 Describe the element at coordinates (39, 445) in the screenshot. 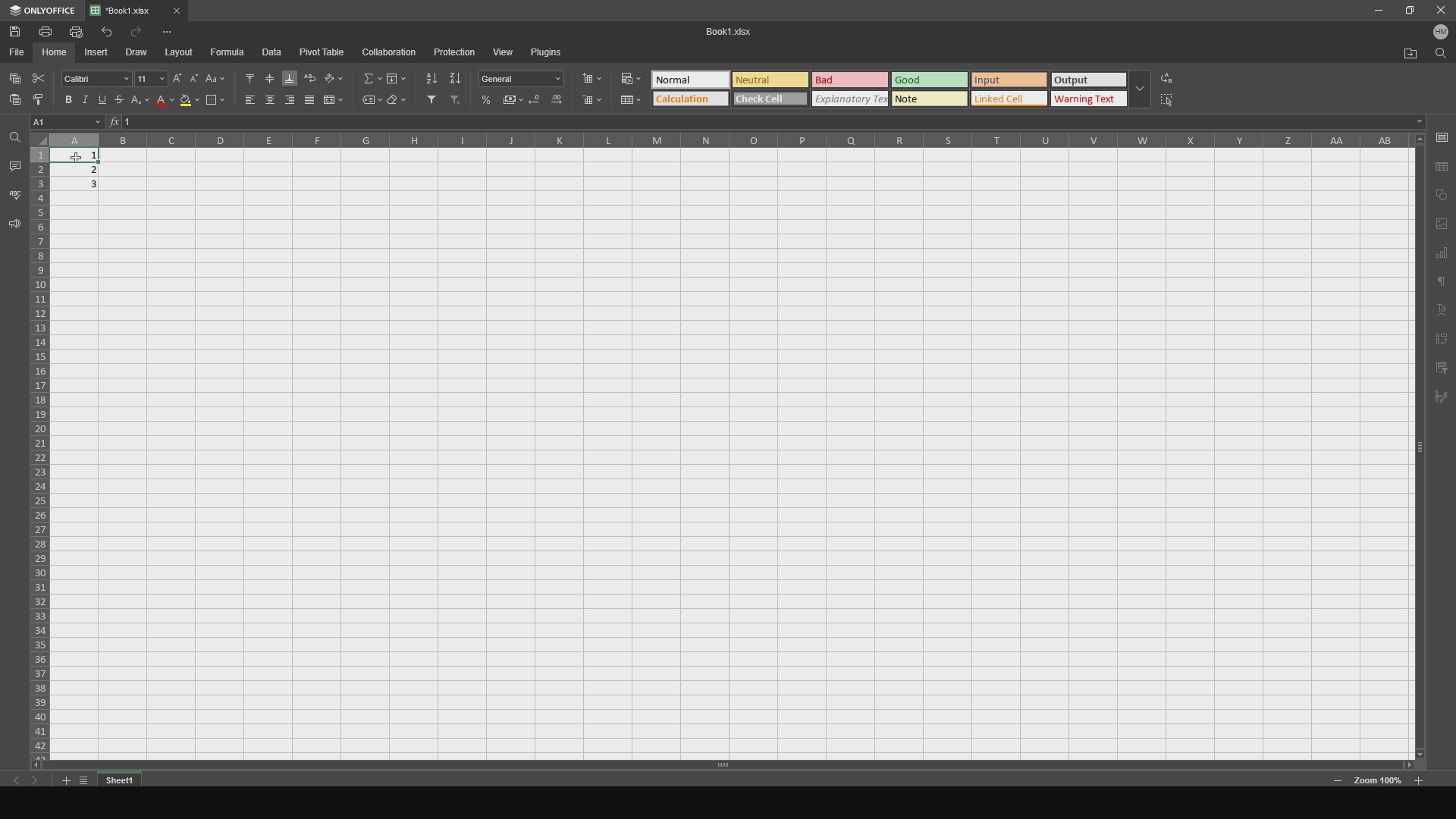

I see `cells` at that location.